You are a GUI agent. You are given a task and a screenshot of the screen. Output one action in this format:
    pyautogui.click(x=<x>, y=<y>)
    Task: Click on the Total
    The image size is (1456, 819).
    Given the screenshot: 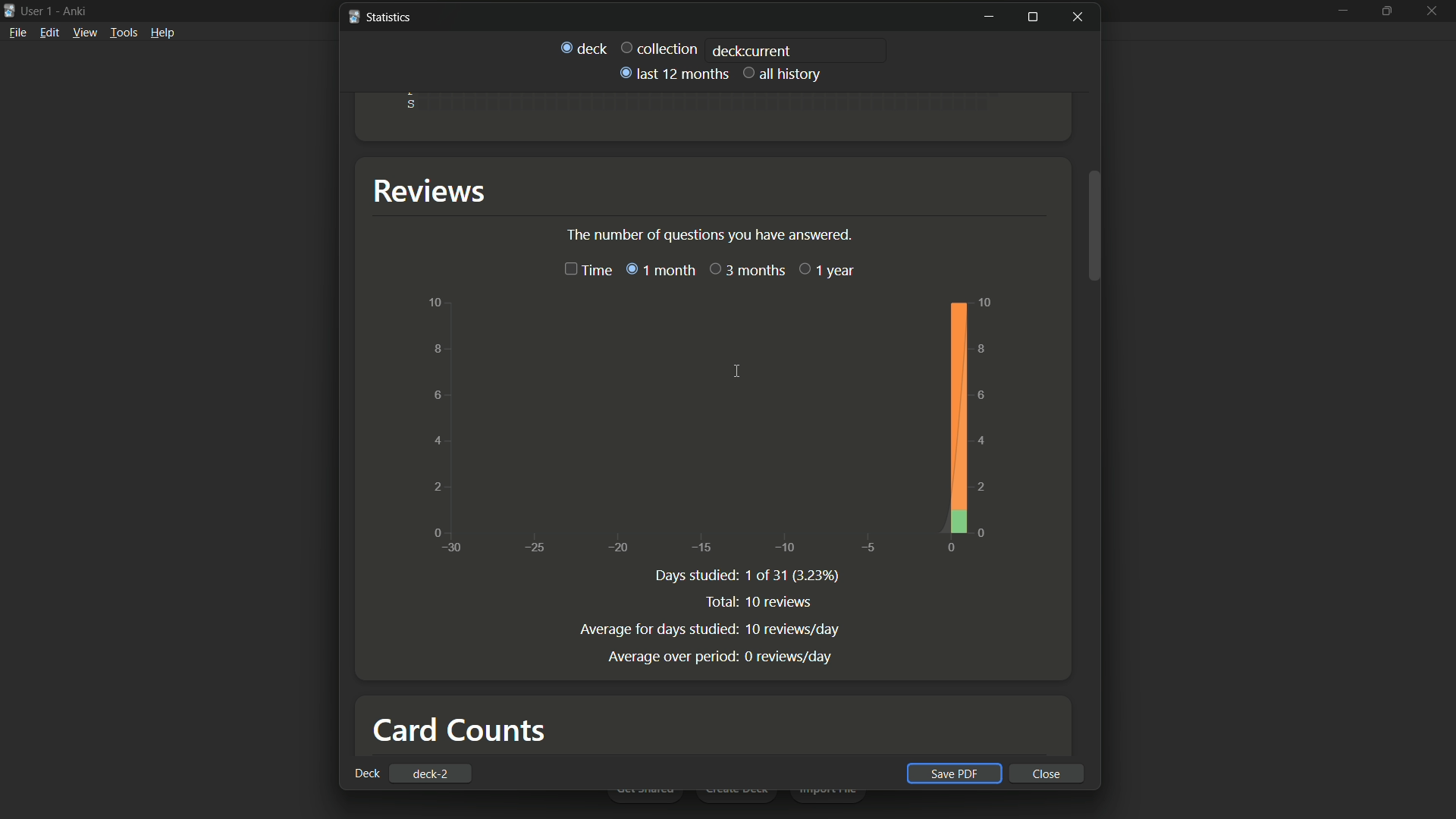 What is the action you would take?
    pyautogui.click(x=714, y=601)
    